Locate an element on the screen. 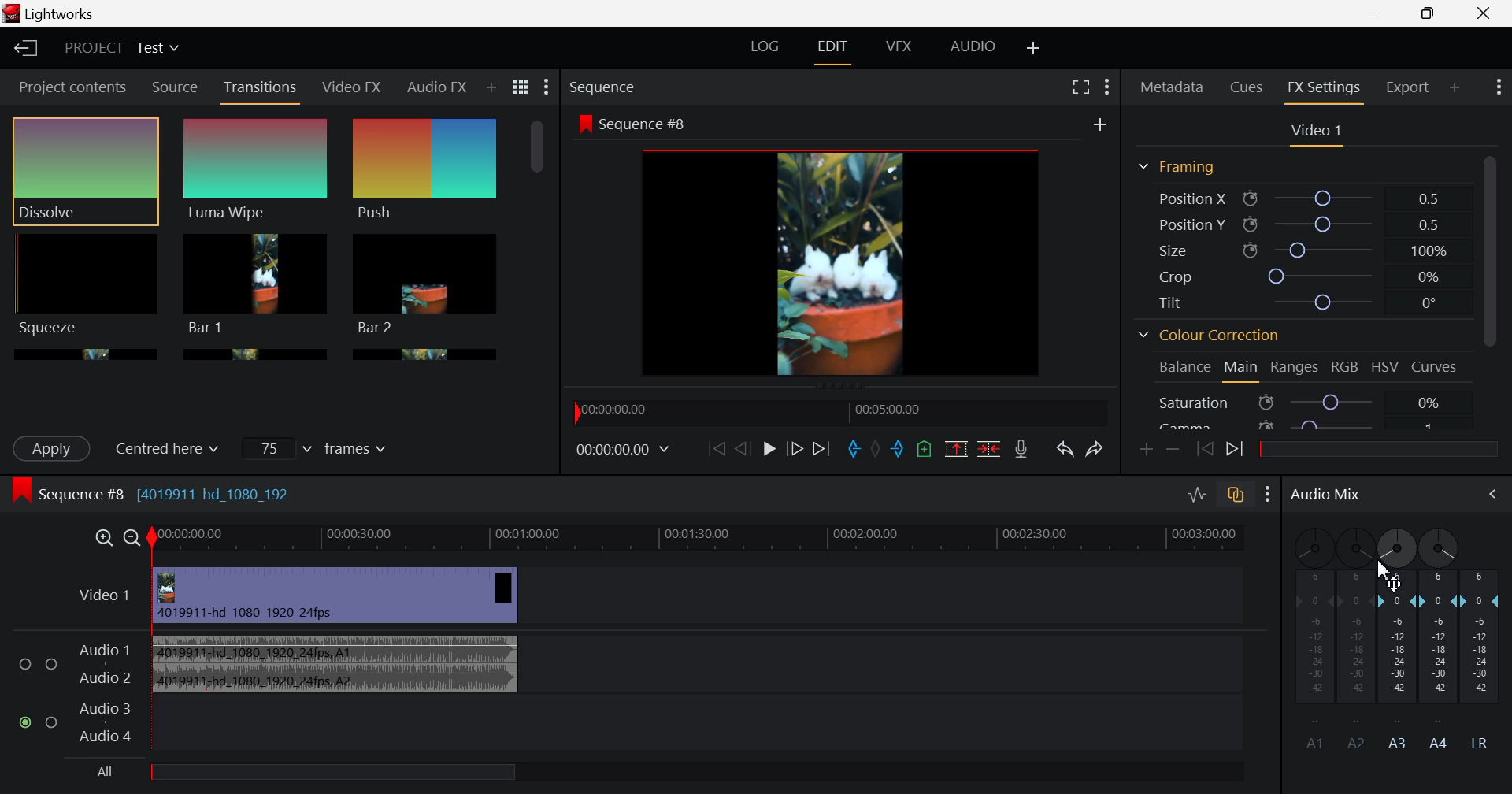 The height and width of the screenshot is (794, 1512). Delete/Cut is located at coordinates (991, 448).